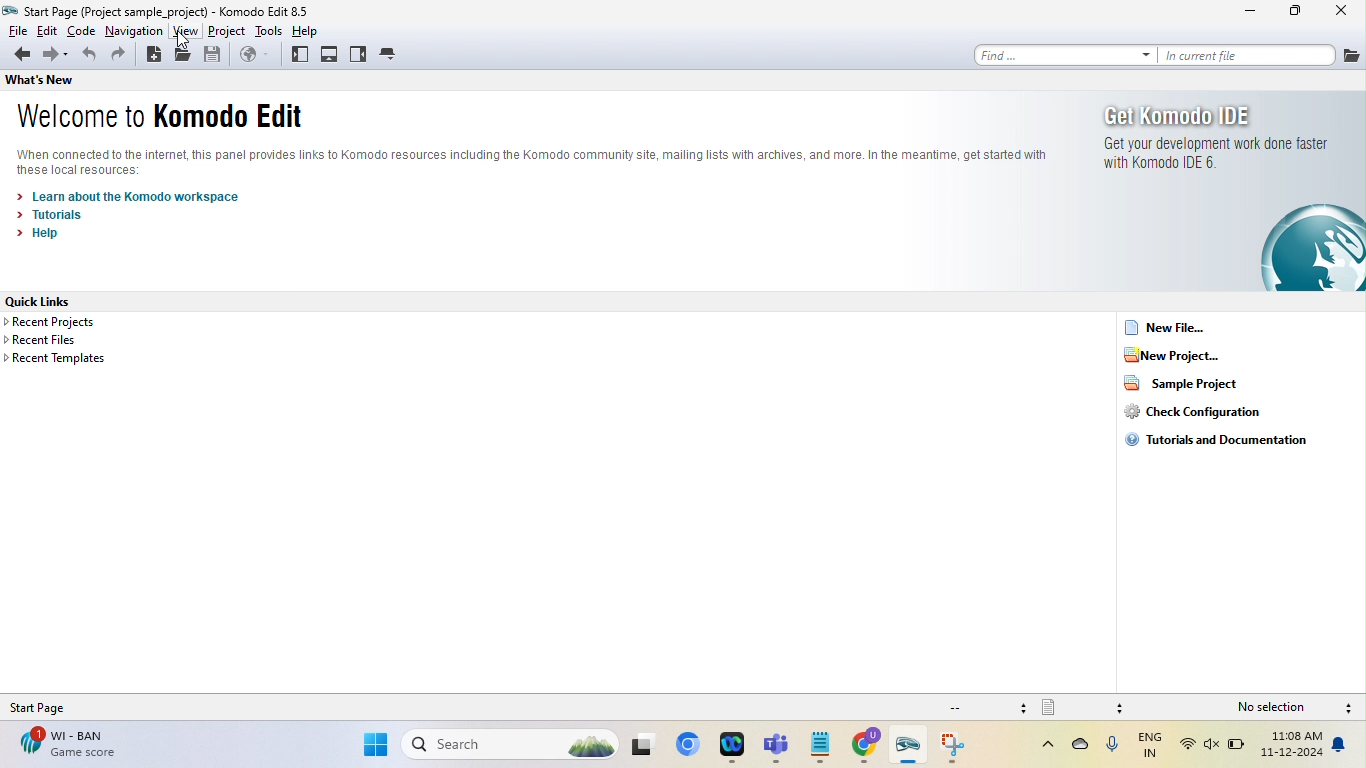 The image size is (1366, 768). What do you see at coordinates (1060, 54) in the screenshot?
I see `find` at bounding box center [1060, 54].